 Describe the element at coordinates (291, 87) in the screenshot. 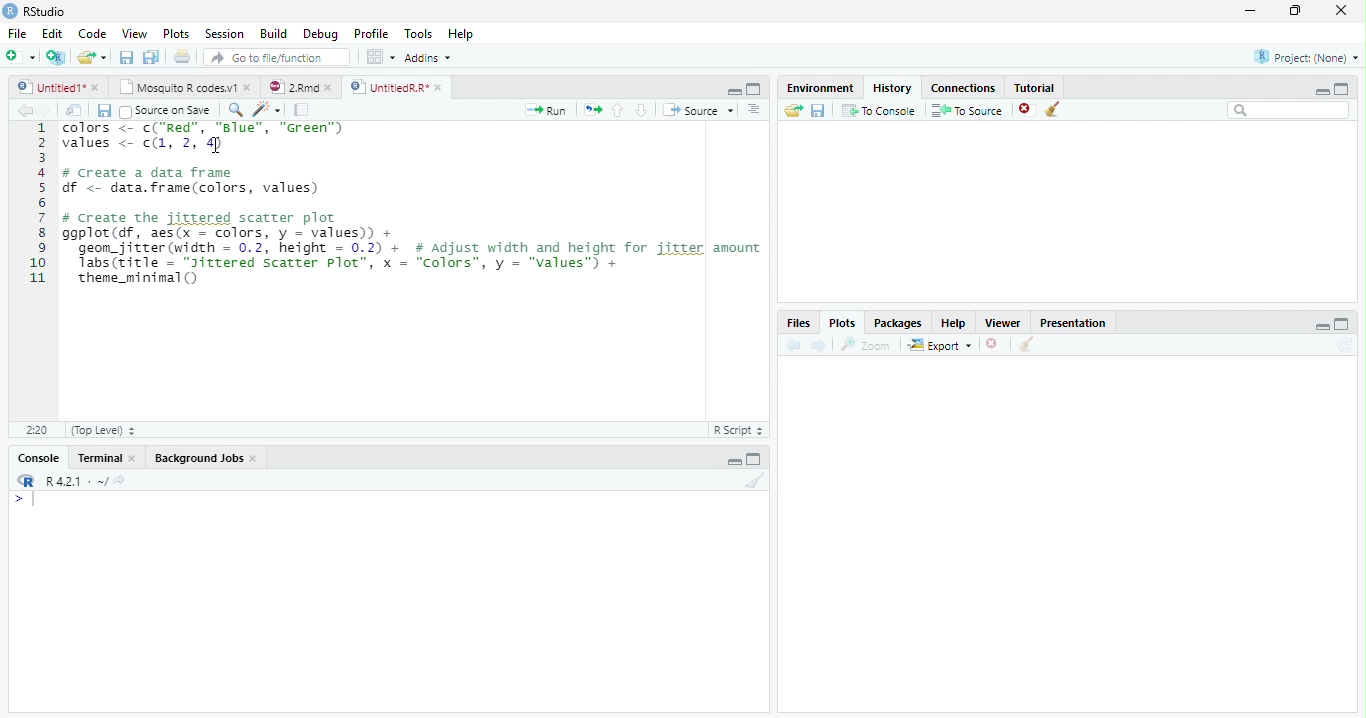

I see `2.Rmd` at that location.